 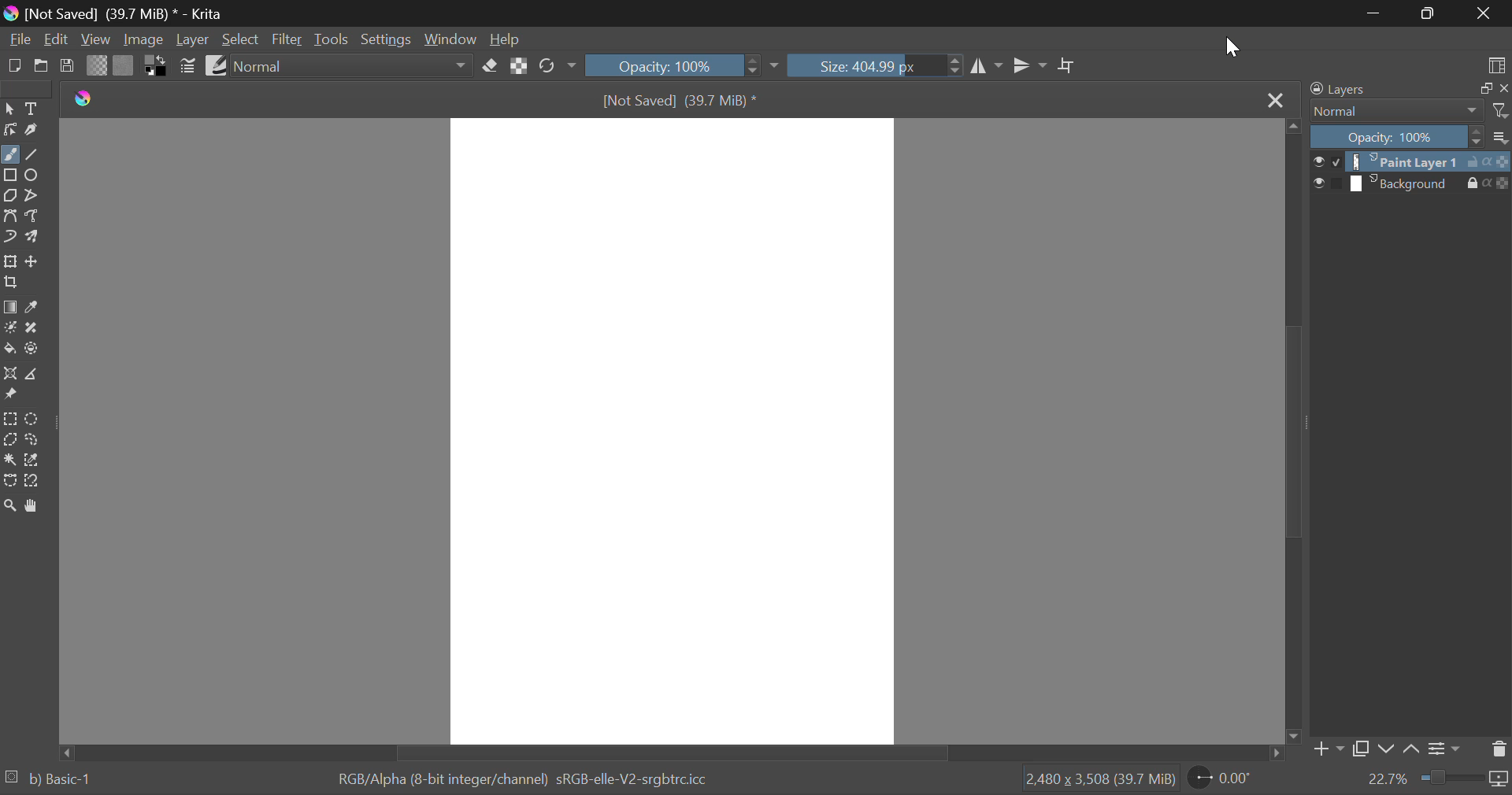 I want to click on Polyline, so click(x=35, y=195).